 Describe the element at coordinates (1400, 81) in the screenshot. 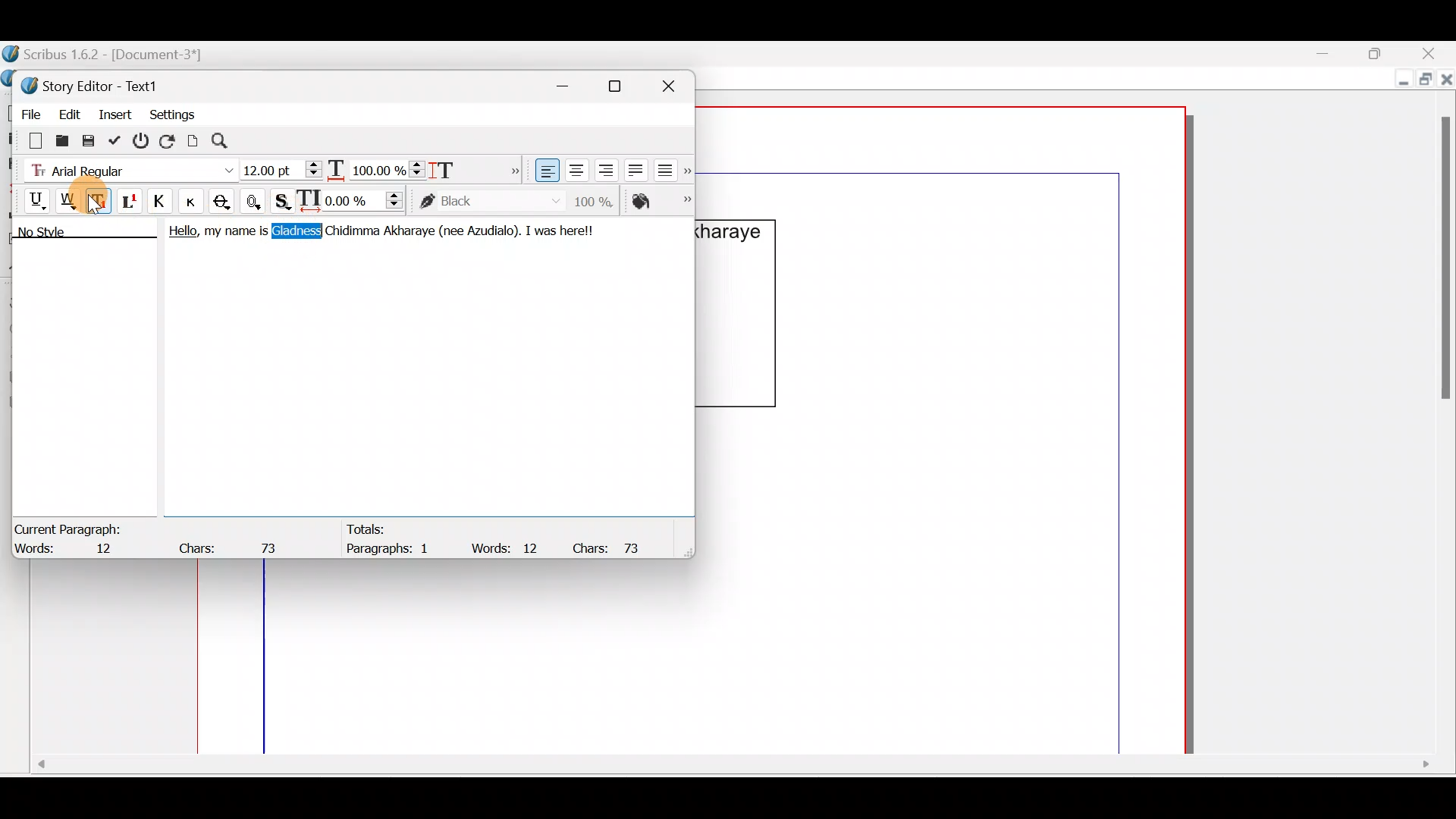

I see `Minimize` at that location.